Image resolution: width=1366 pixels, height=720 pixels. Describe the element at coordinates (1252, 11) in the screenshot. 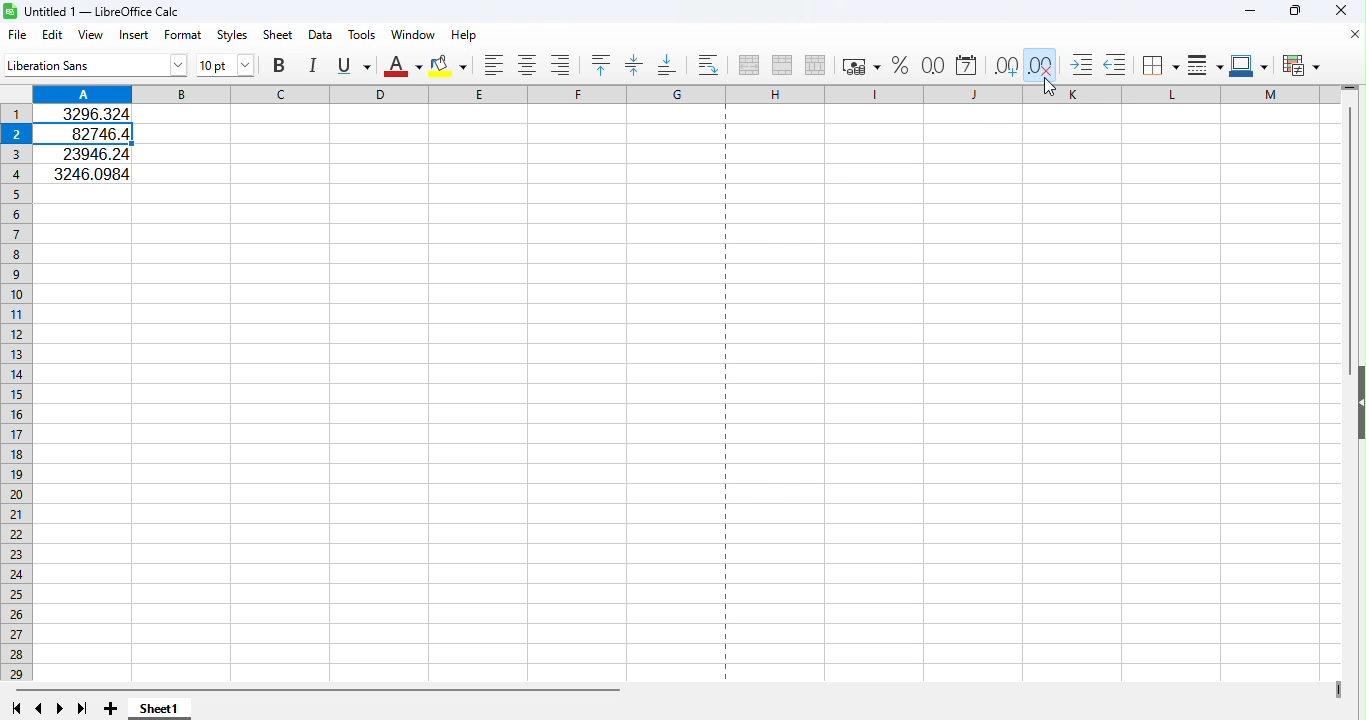

I see `Minimize` at that location.